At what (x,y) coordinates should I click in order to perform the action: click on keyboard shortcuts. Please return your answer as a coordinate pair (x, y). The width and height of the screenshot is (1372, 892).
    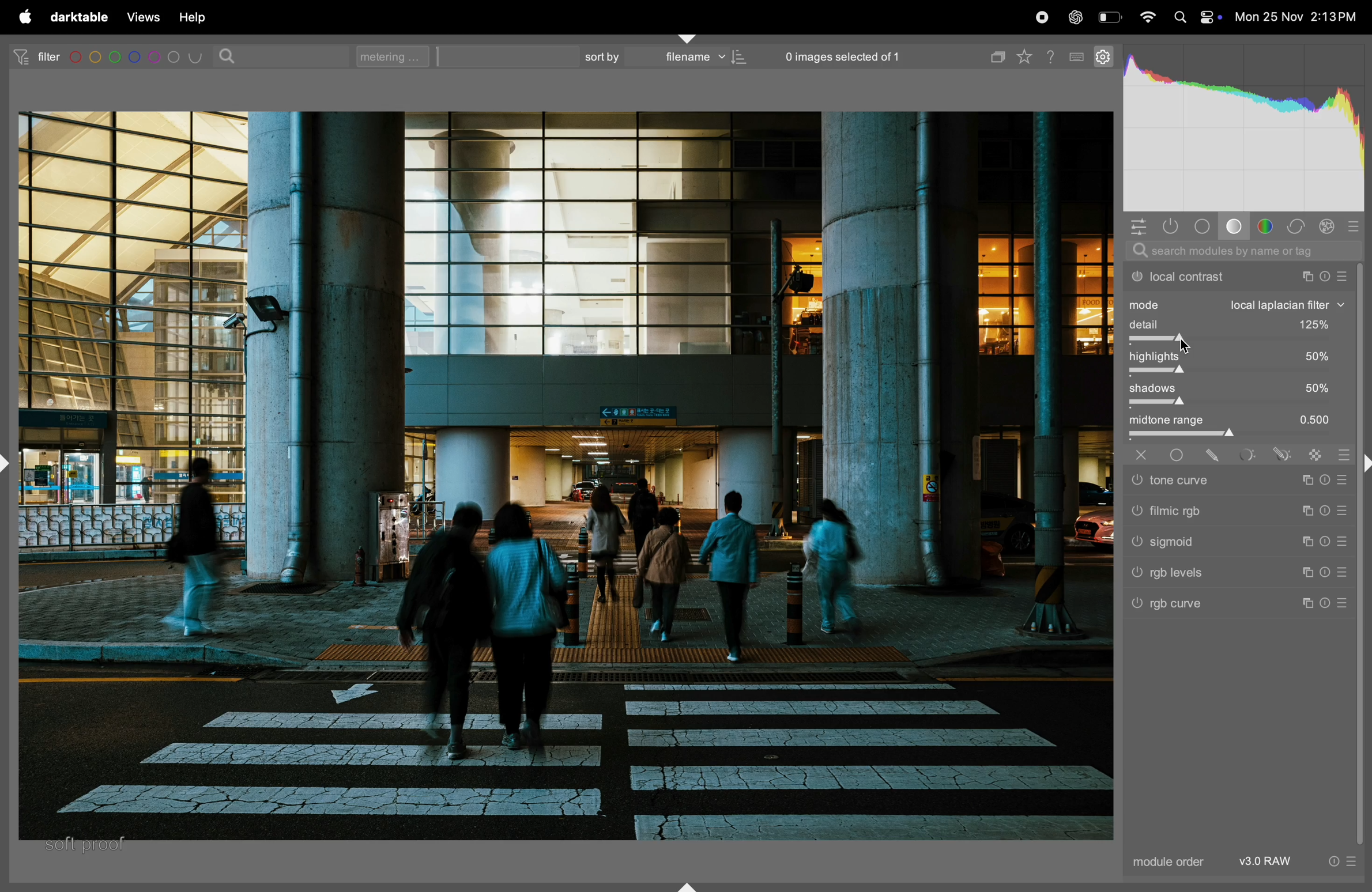
    Looking at the image, I should click on (1077, 58).